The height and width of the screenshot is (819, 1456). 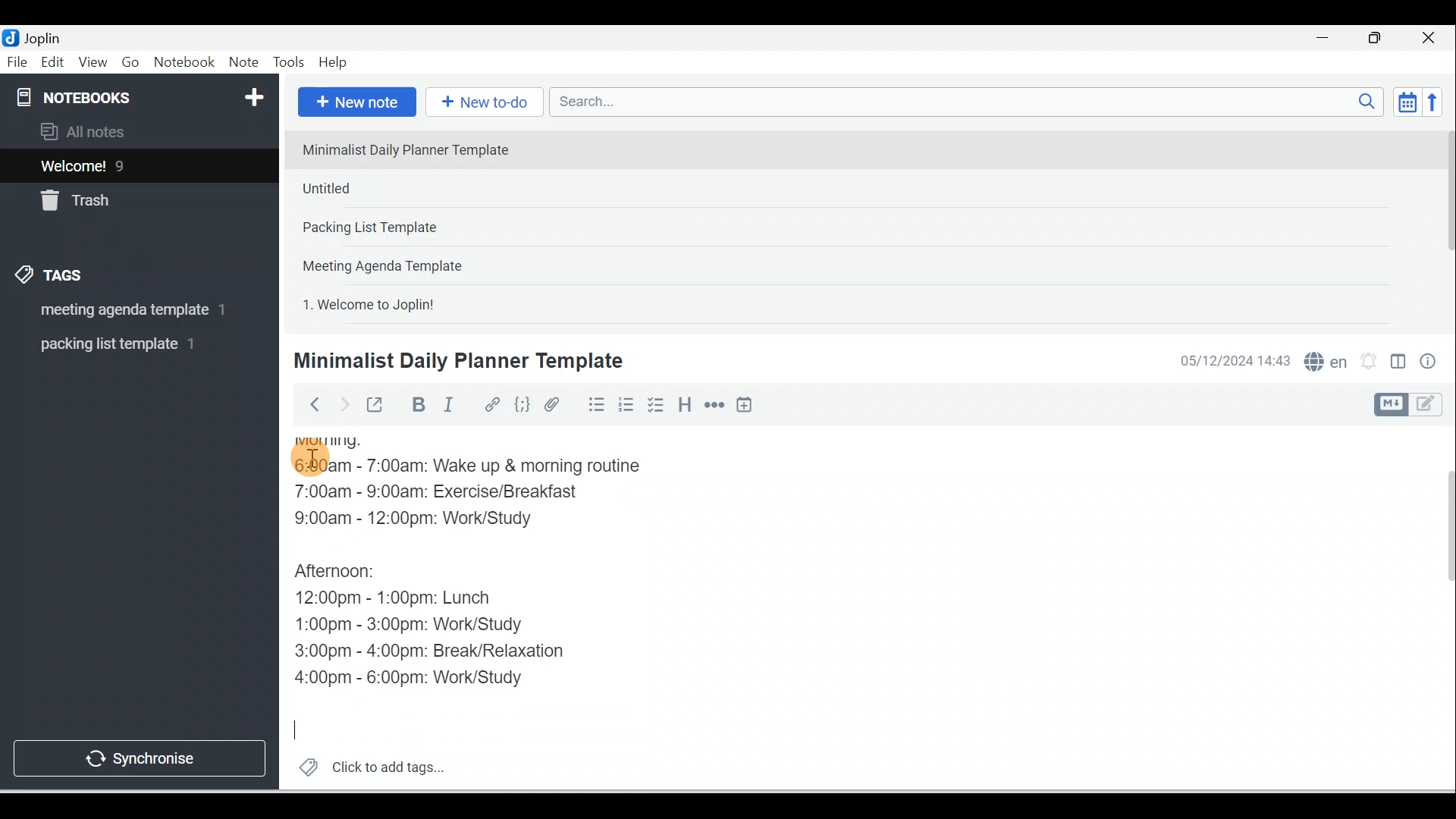 What do you see at coordinates (1407, 101) in the screenshot?
I see `Toggle sort order` at bounding box center [1407, 101].